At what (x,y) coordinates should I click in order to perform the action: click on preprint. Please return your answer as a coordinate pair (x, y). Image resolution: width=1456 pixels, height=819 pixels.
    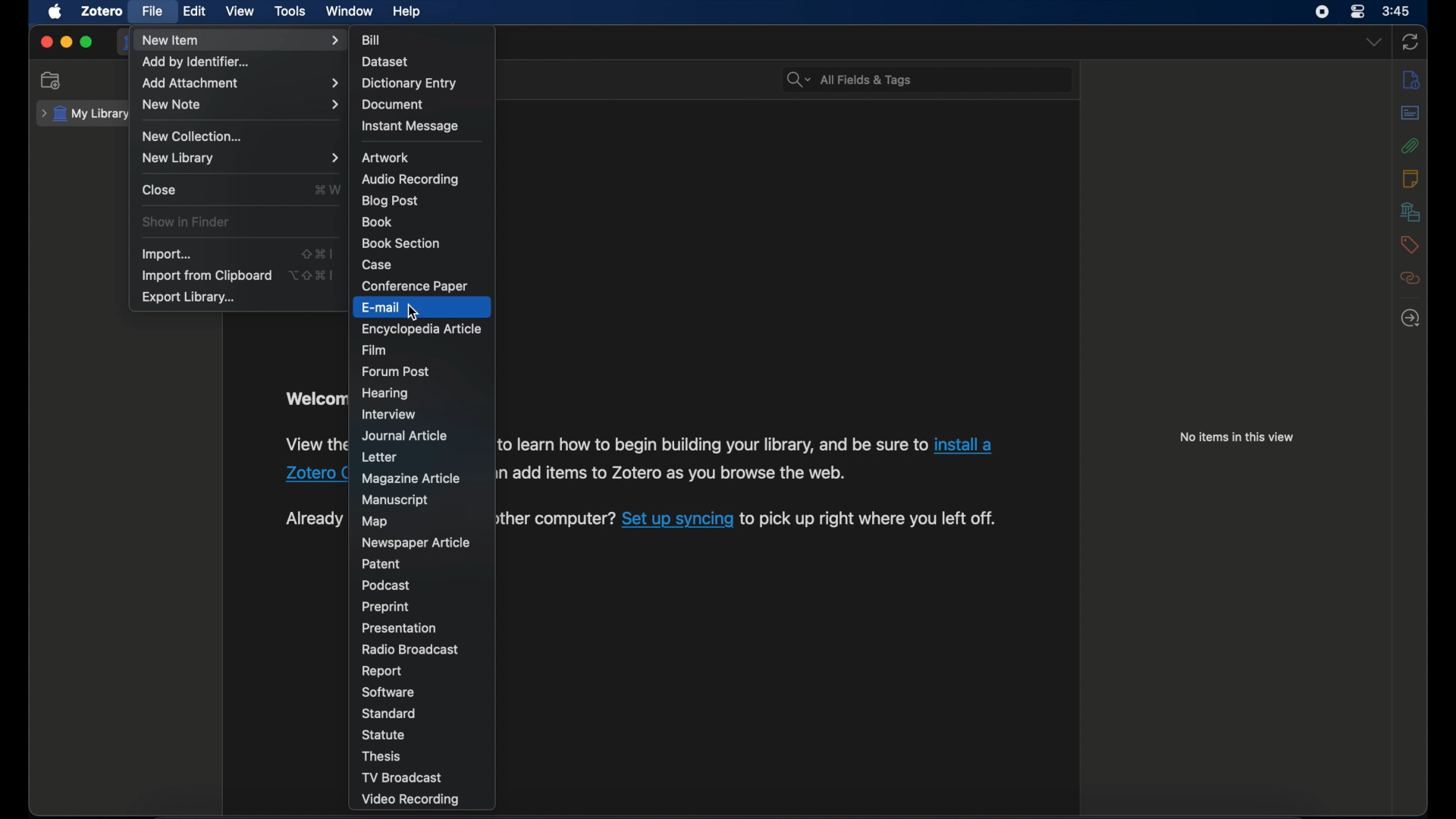
    Looking at the image, I should click on (385, 607).